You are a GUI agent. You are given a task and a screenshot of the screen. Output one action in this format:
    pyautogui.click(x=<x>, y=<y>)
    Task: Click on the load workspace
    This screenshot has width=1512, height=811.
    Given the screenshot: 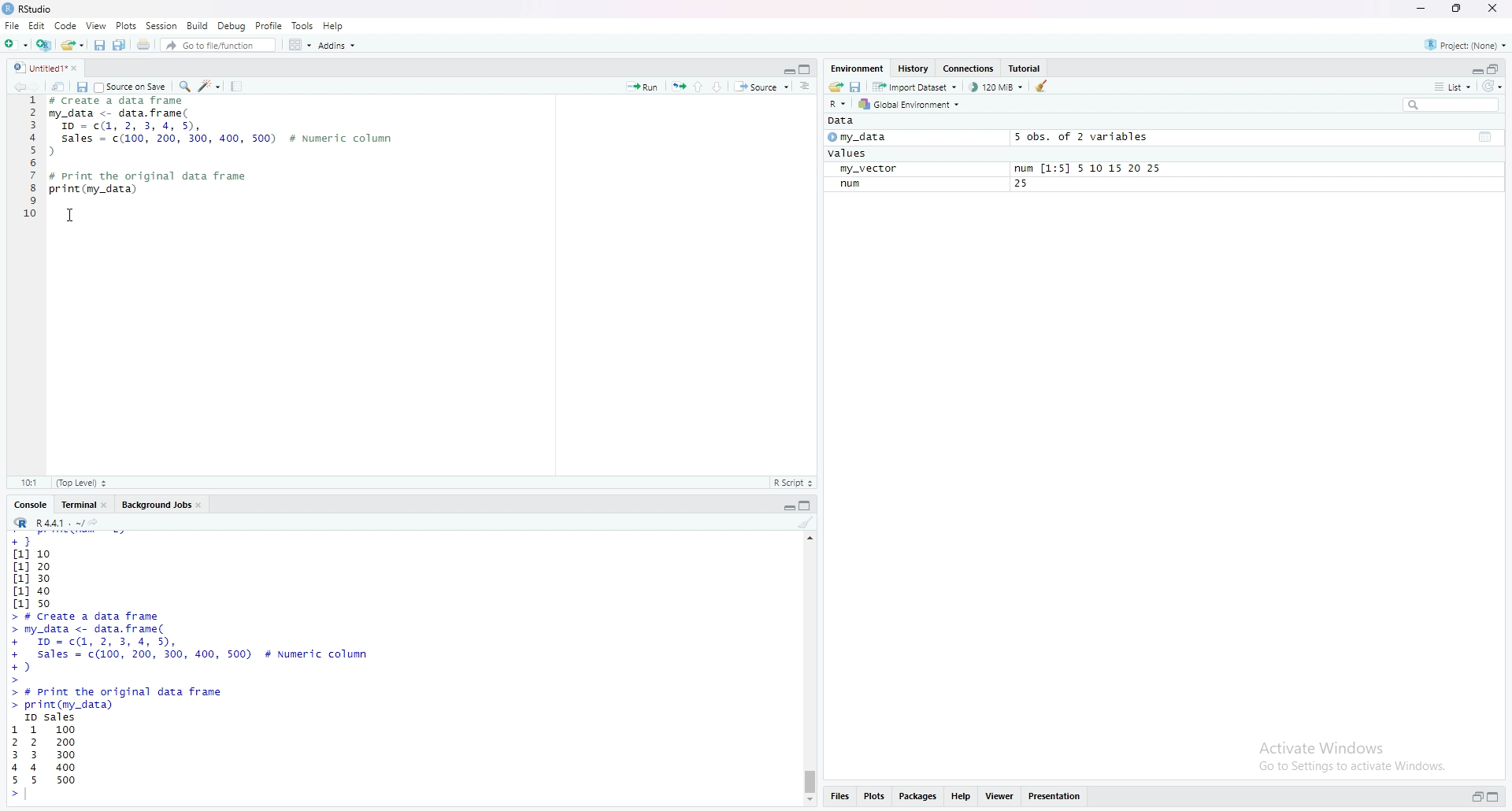 What is the action you would take?
    pyautogui.click(x=833, y=87)
    